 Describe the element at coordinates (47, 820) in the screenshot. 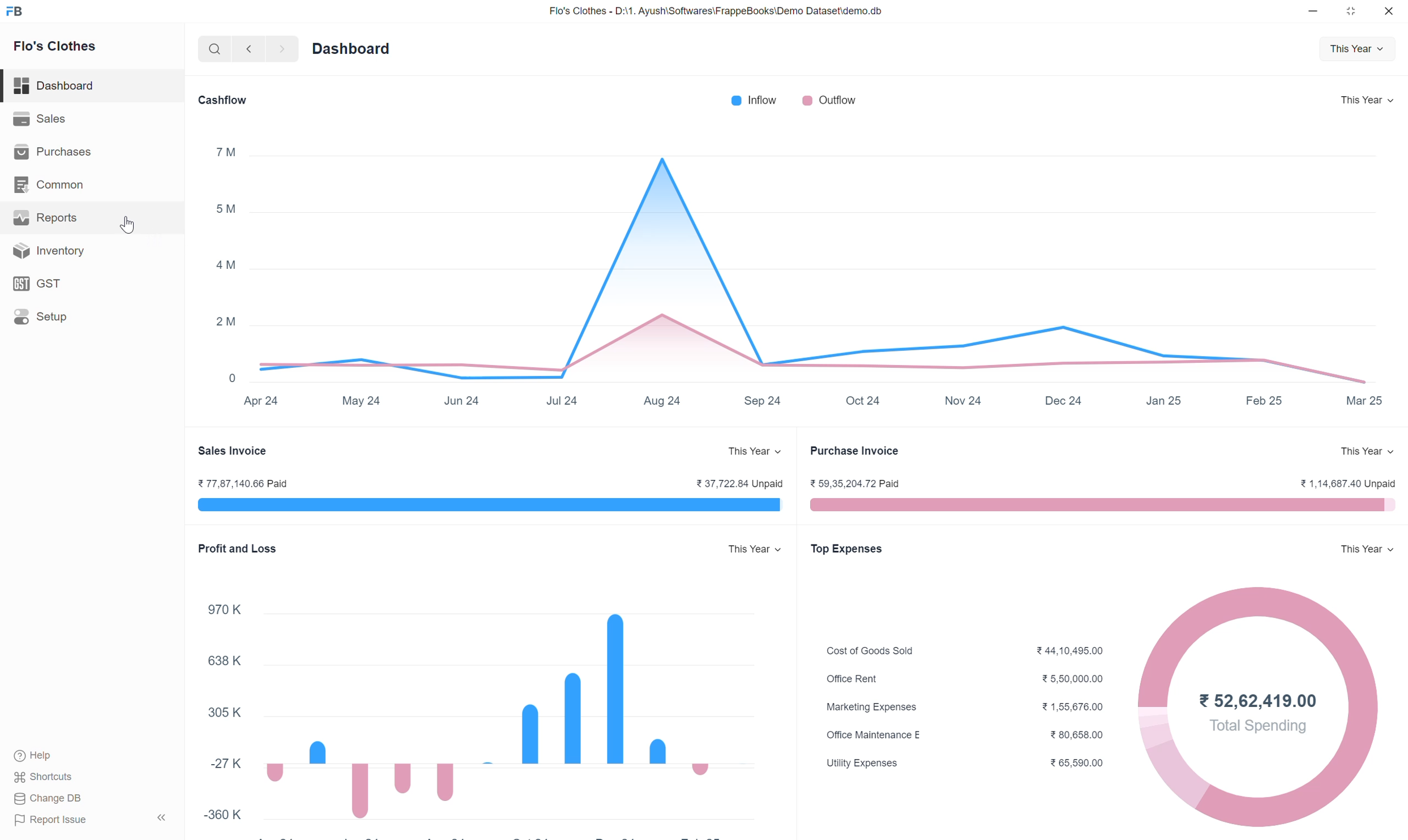

I see `Report Issue` at that location.